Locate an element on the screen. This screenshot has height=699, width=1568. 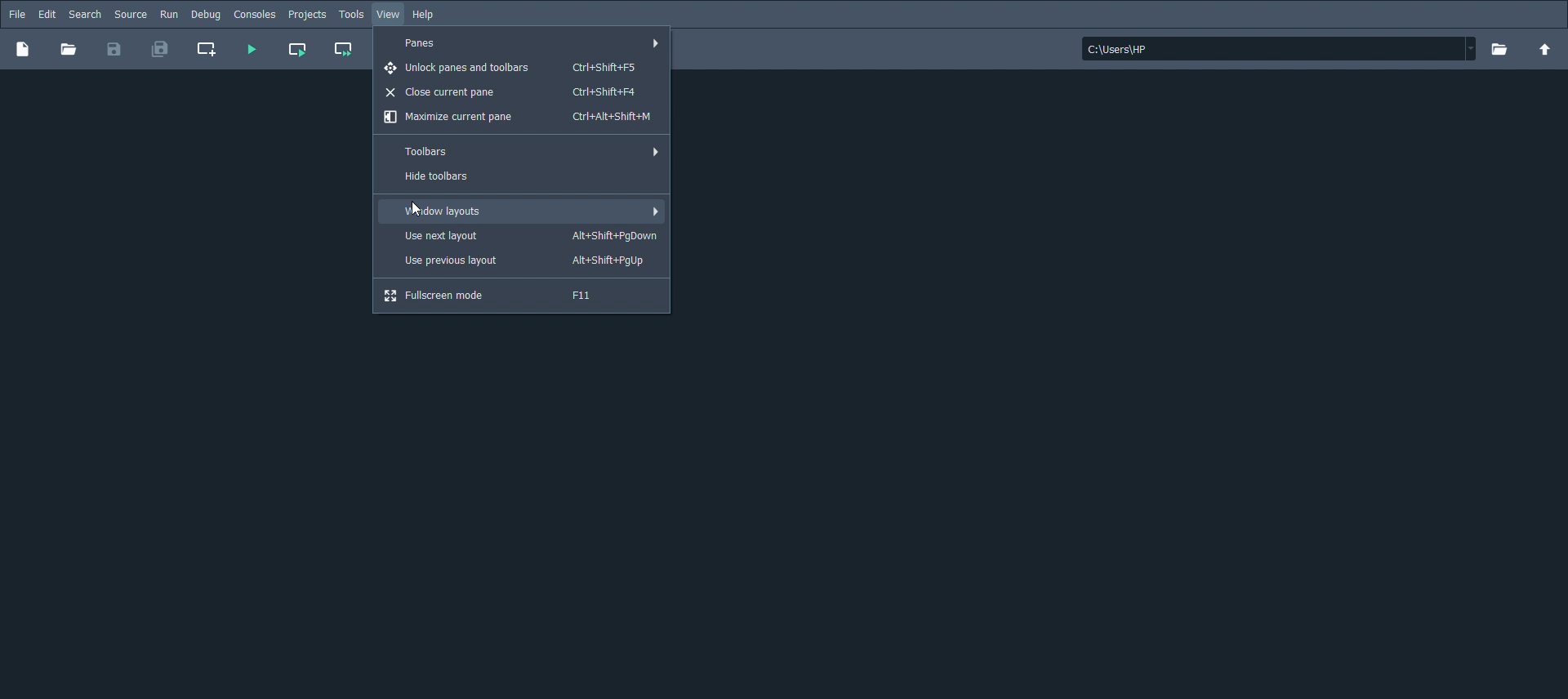
Open file is located at coordinates (71, 51).